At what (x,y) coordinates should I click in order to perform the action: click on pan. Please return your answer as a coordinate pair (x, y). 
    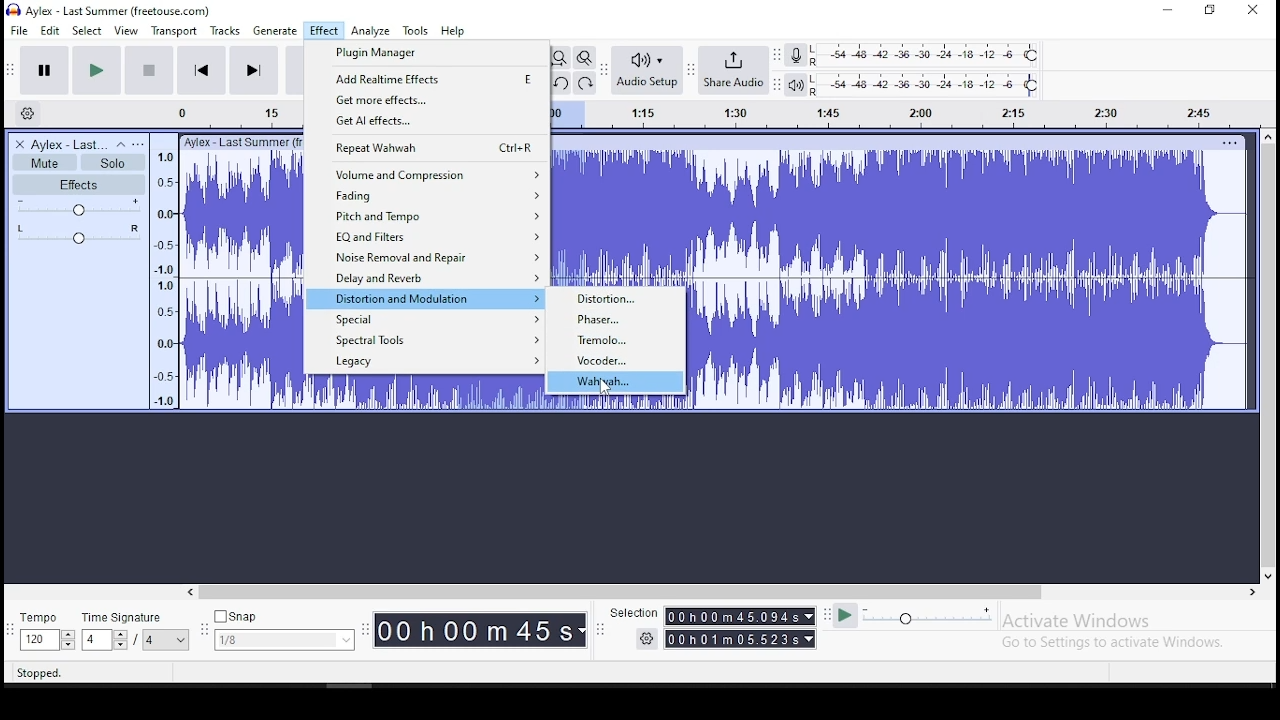
    Looking at the image, I should click on (77, 234).